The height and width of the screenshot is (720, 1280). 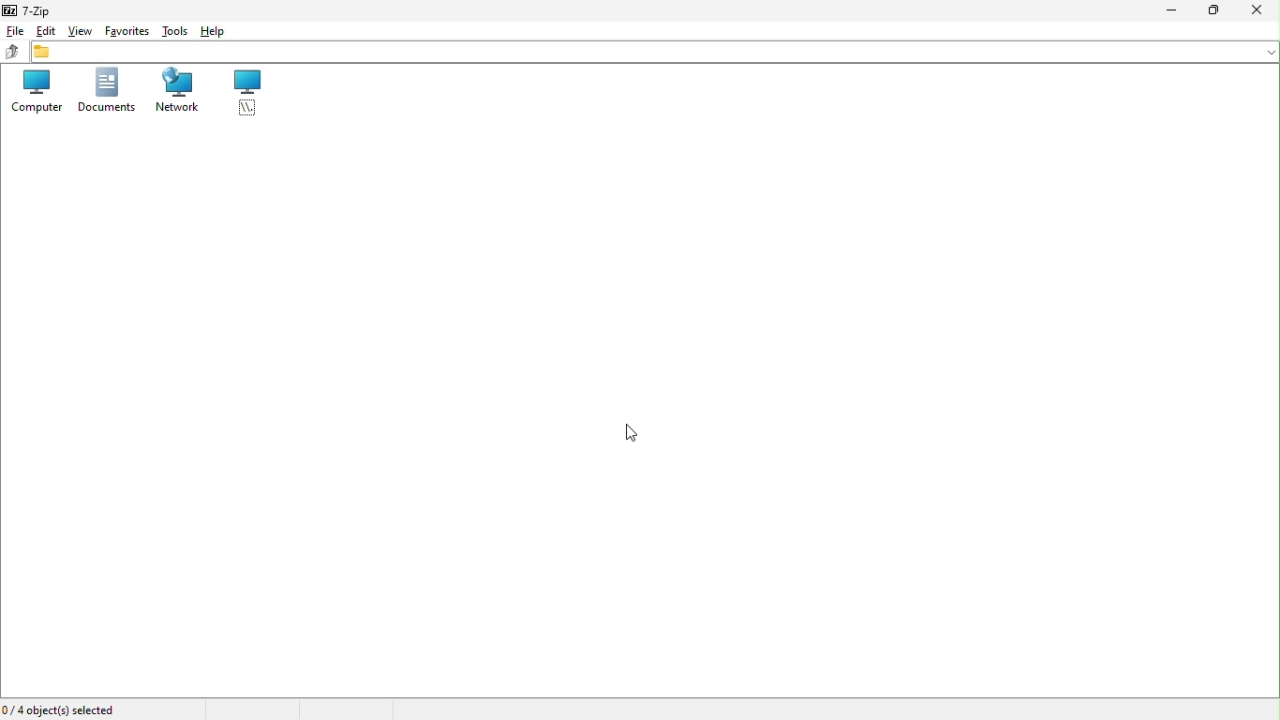 I want to click on 4 object selected, so click(x=62, y=708).